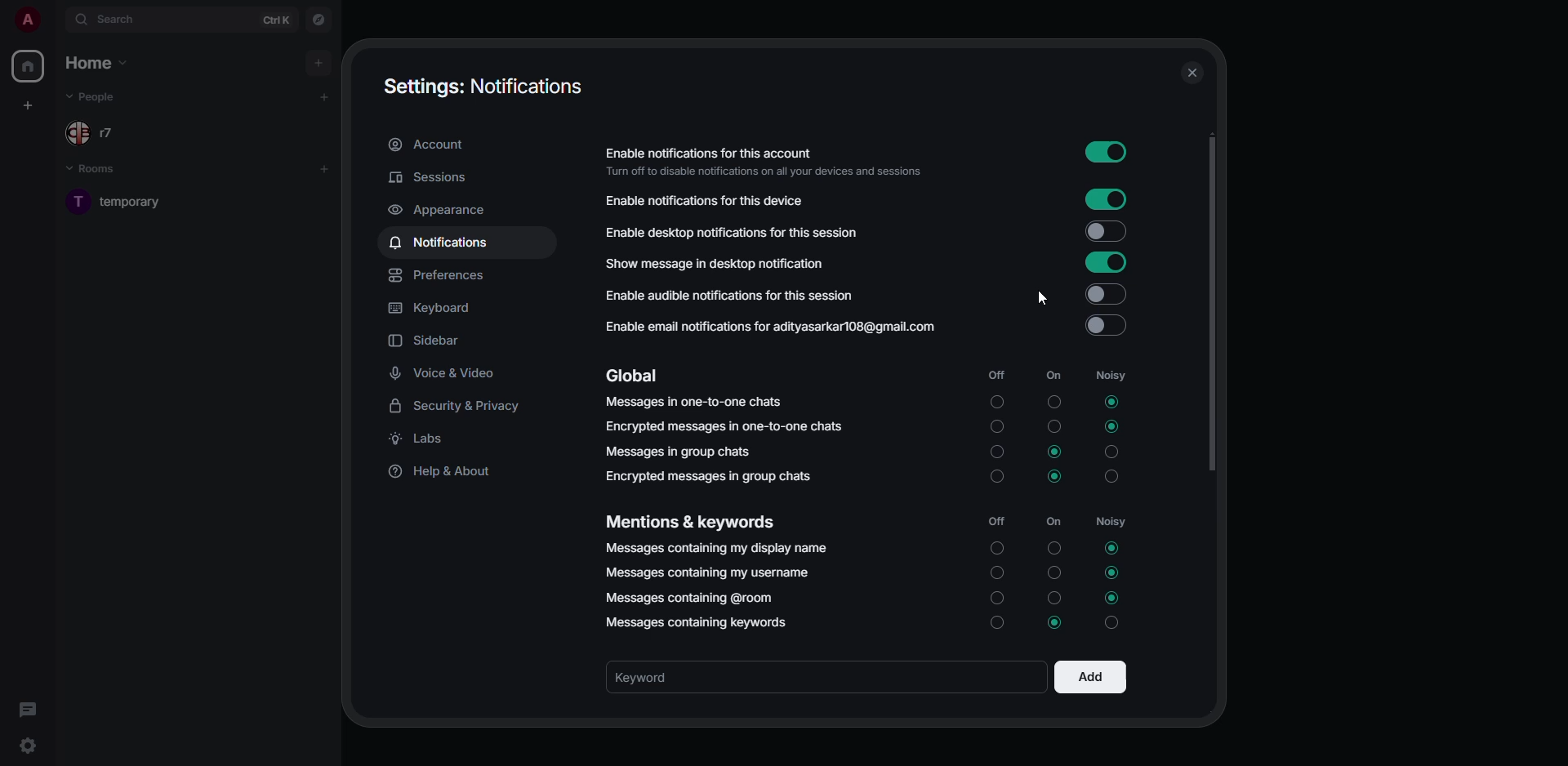  Describe the element at coordinates (1051, 376) in the screenshot. I see `on` at that location.